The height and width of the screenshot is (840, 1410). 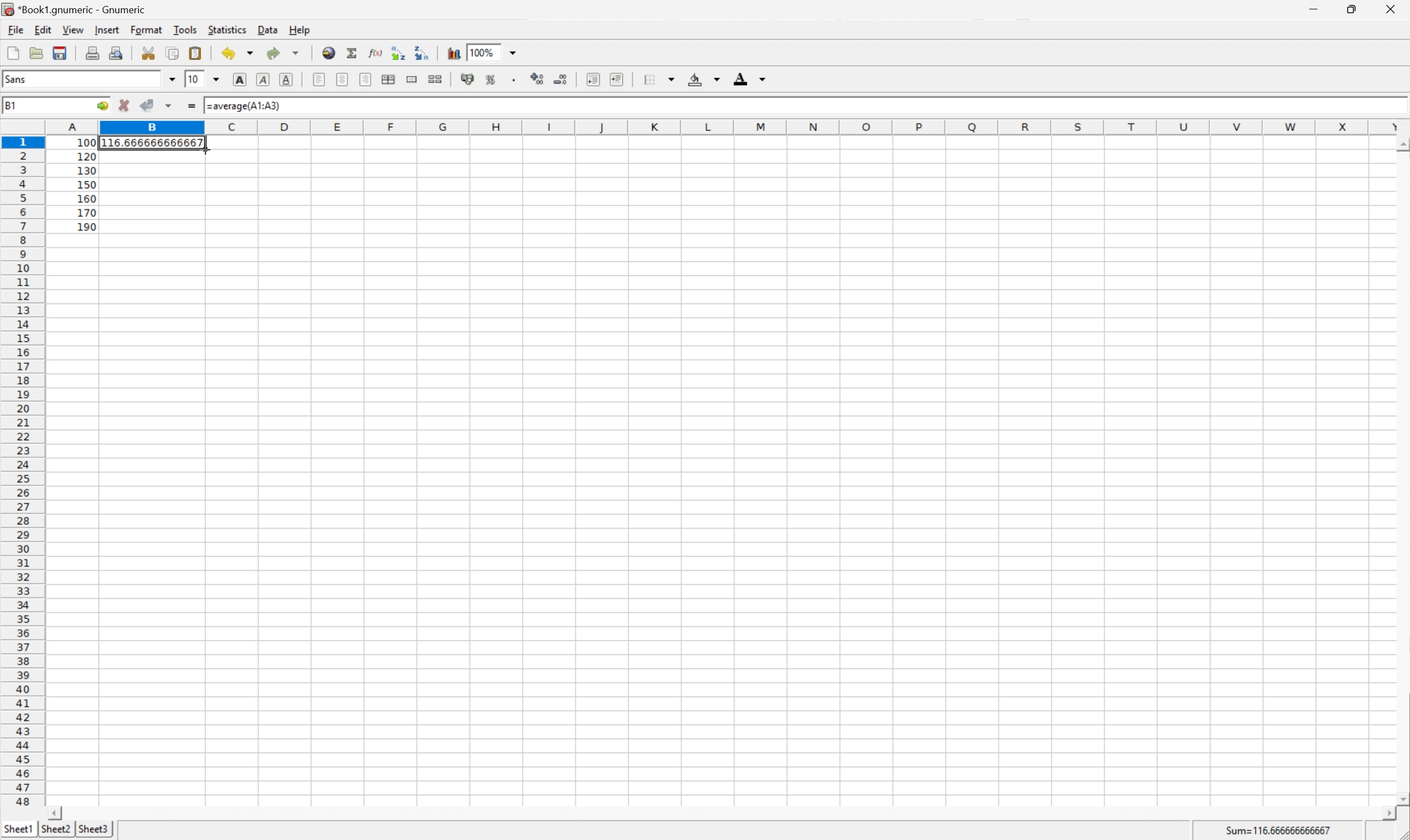 I want to click on Accept changes in multiple cells, so click(x=168, y=106).